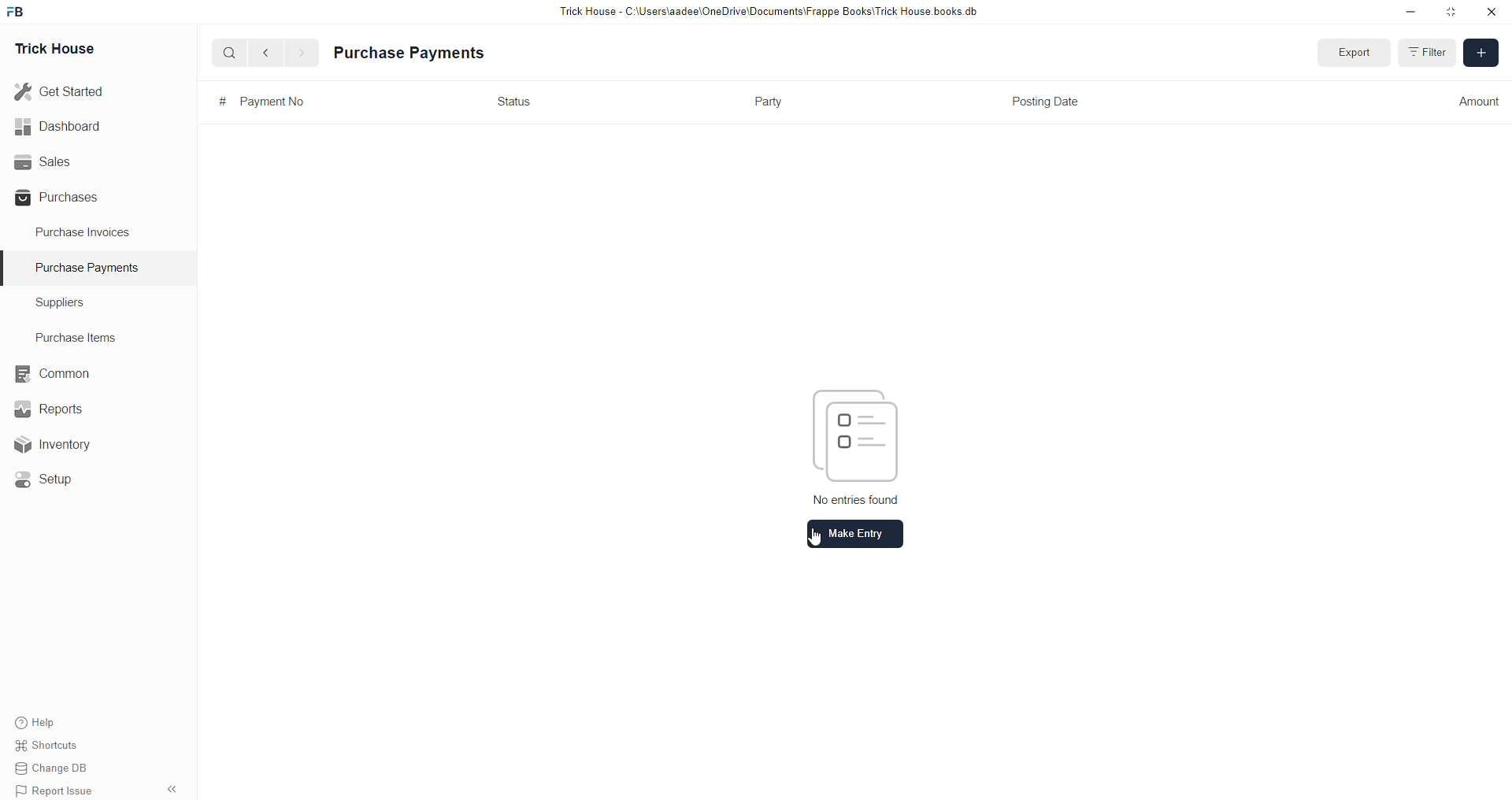 The width and height of the screenshot is (1512, 800). I want to click on  Get Started, so click(60, 90).